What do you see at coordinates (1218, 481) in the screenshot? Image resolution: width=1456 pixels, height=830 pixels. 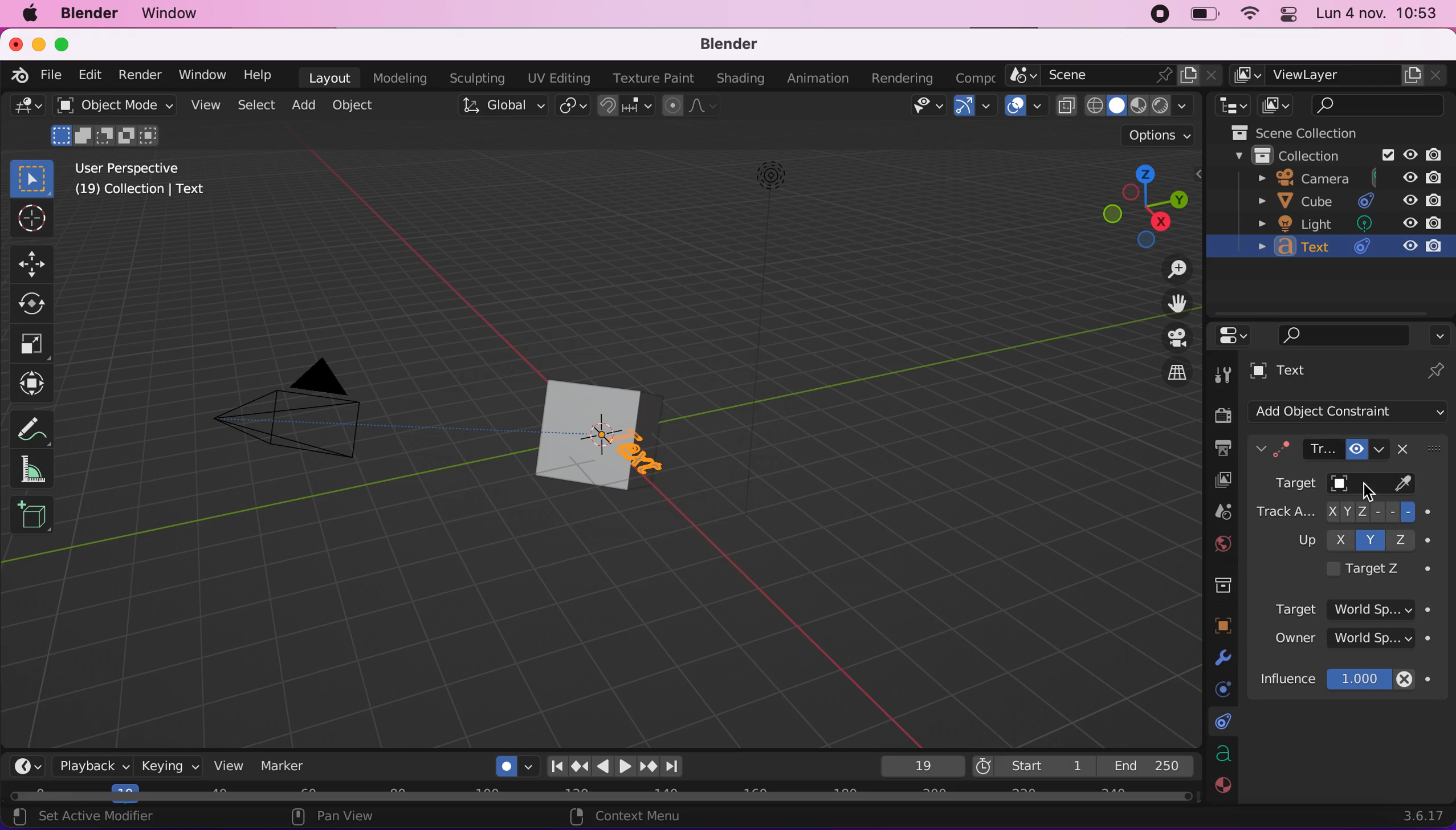 I see `viewlayer` at bounding box center [1218, 481].